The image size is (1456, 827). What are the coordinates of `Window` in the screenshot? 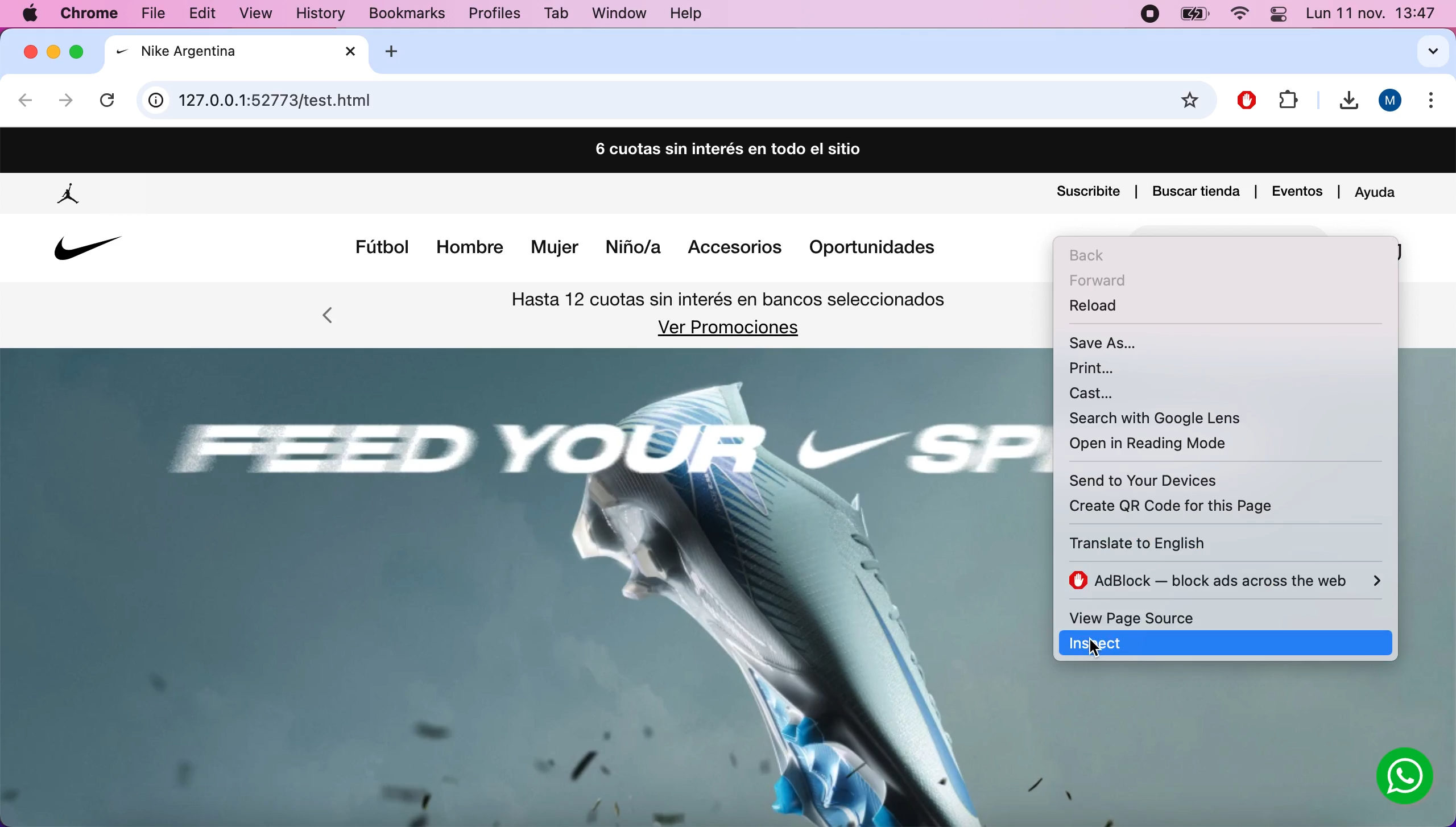 It's located at (616, 13).